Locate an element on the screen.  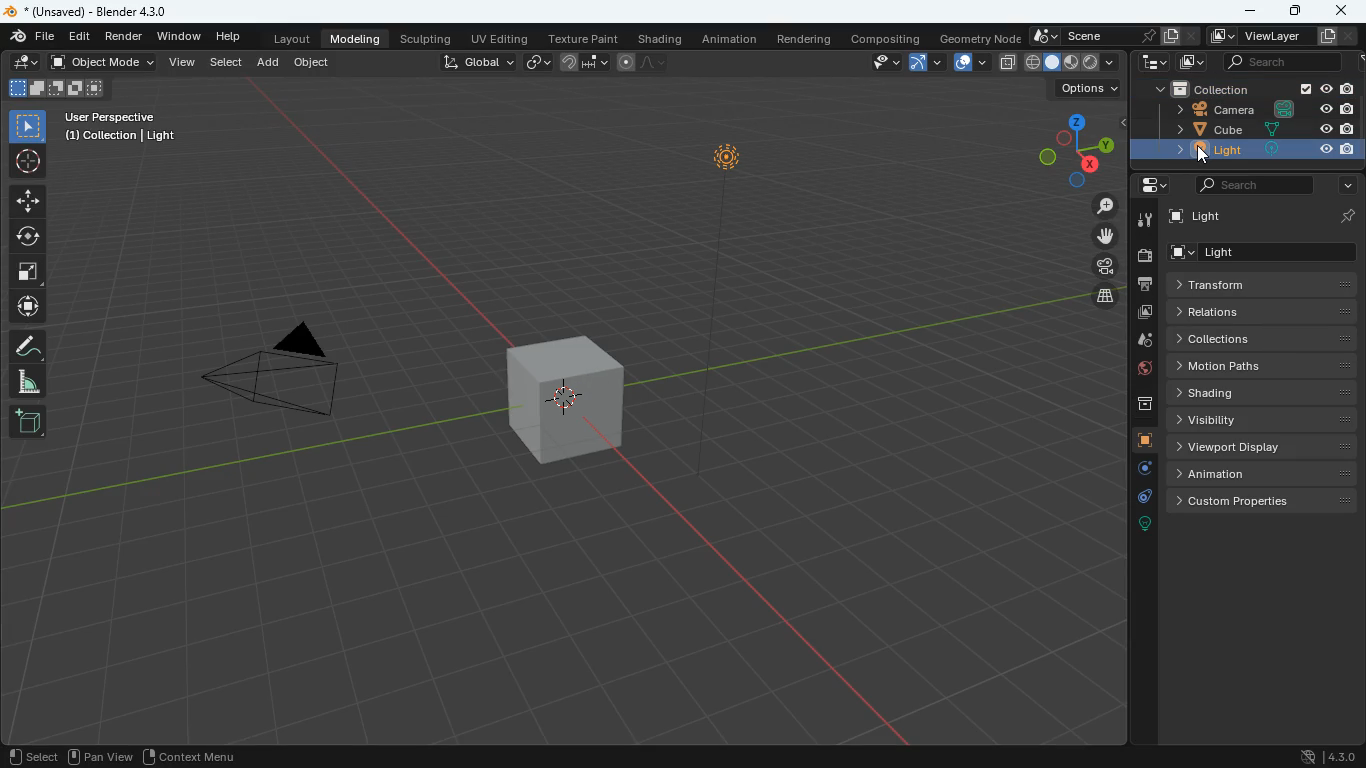
placement is located at coordinates (26, 63).